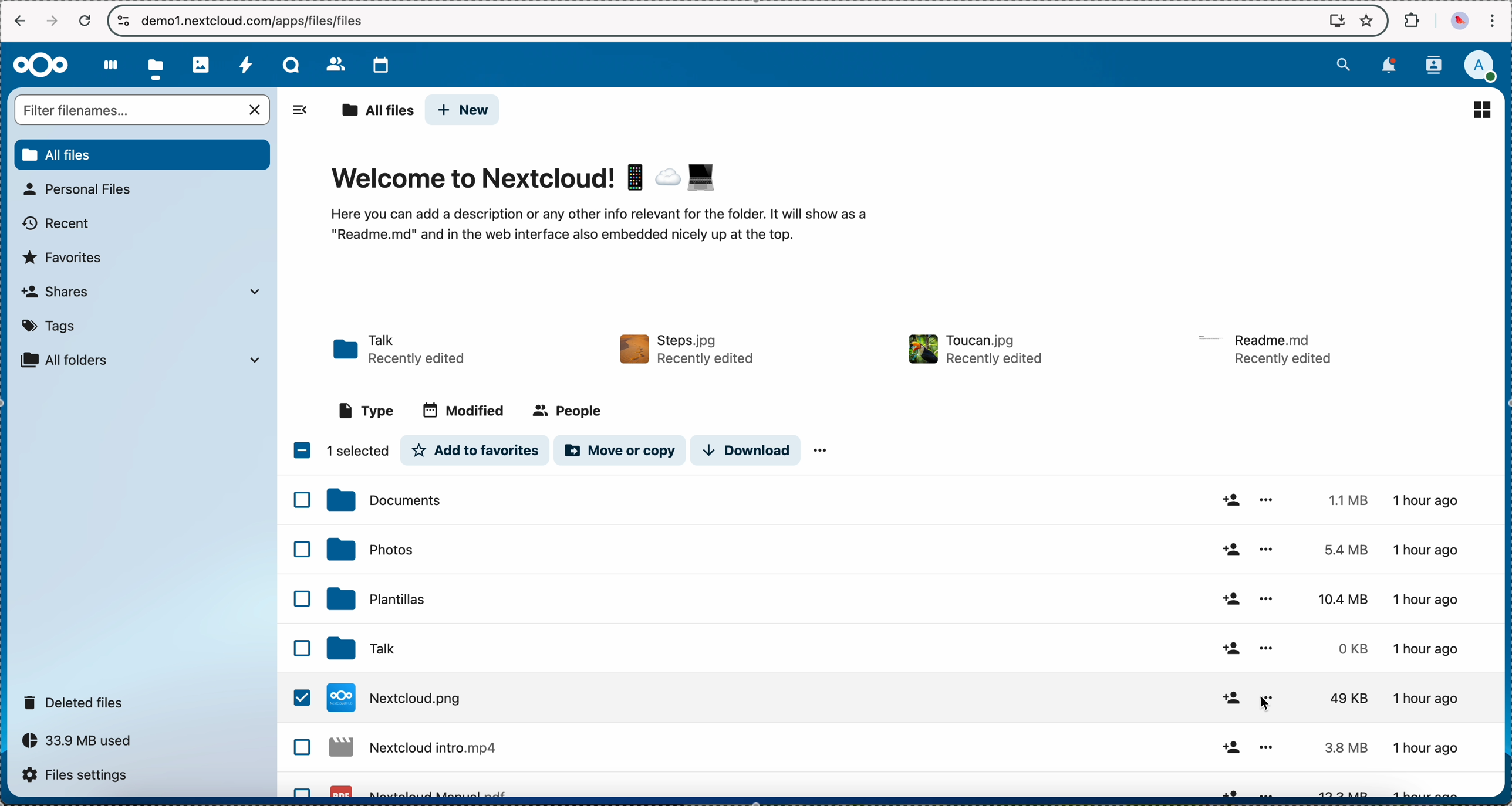 Image resolution: width=1512 pixels, height=806 pixels. I want to click on more options, so click(822, 449).